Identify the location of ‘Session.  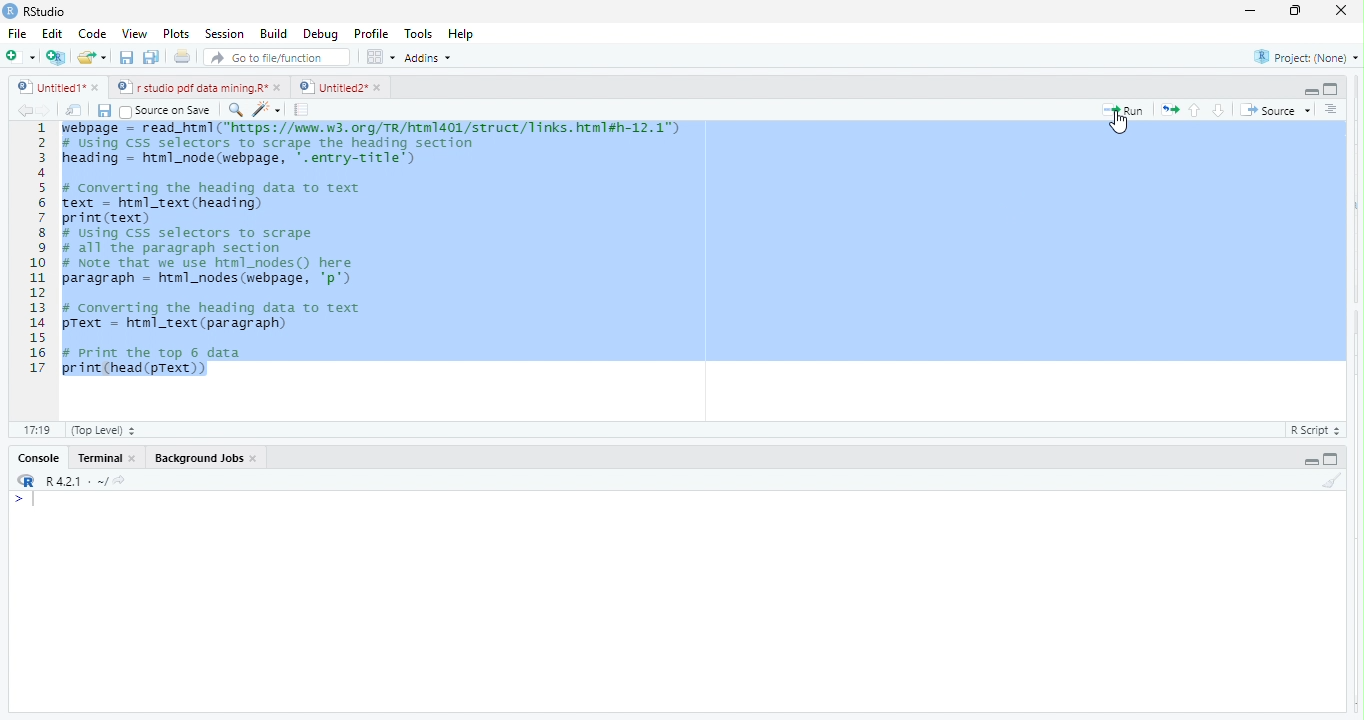
(223, 34).